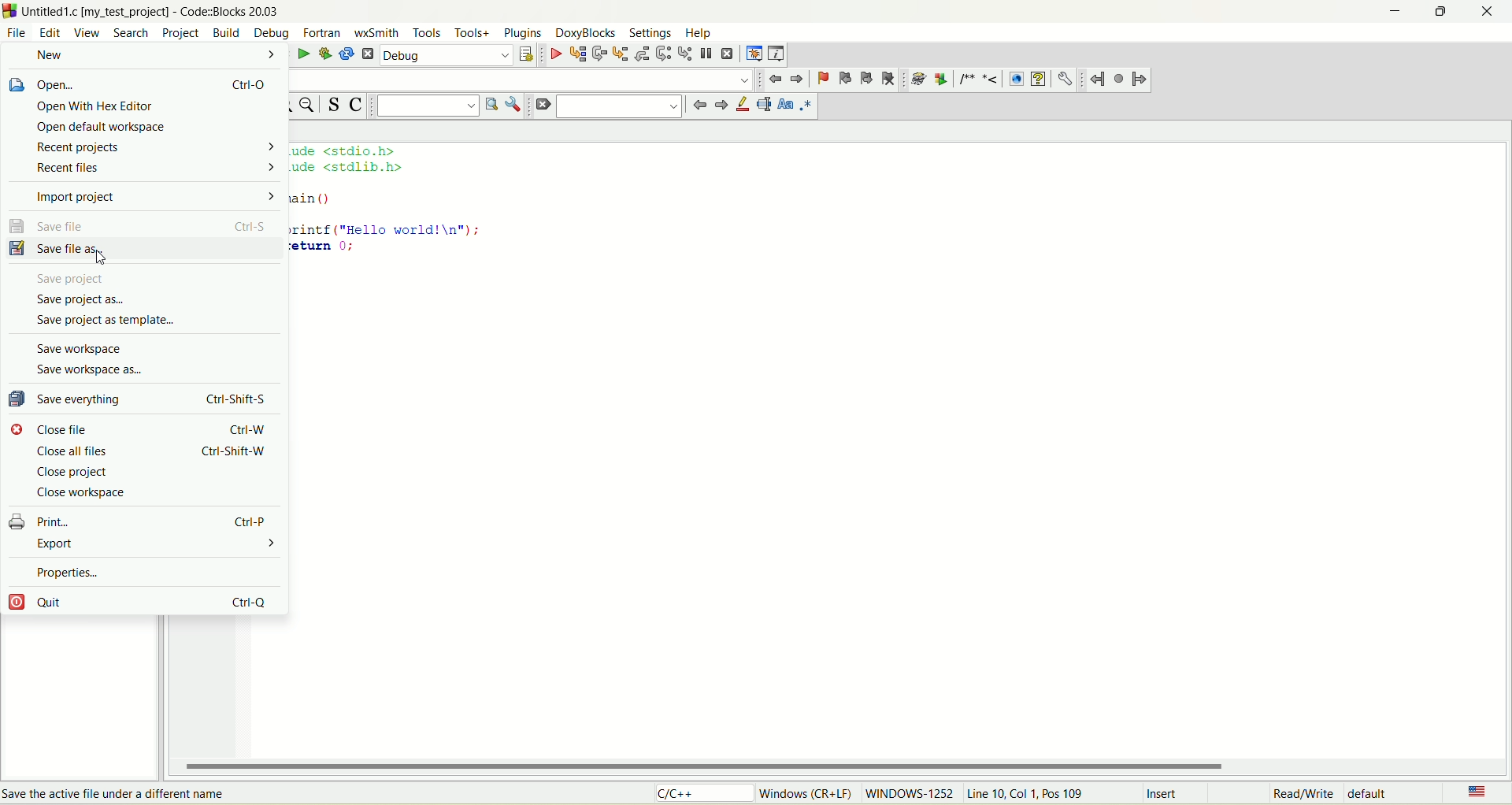 This screenshot has height=805, width=1512. I want to click on print, so click(147, 522).